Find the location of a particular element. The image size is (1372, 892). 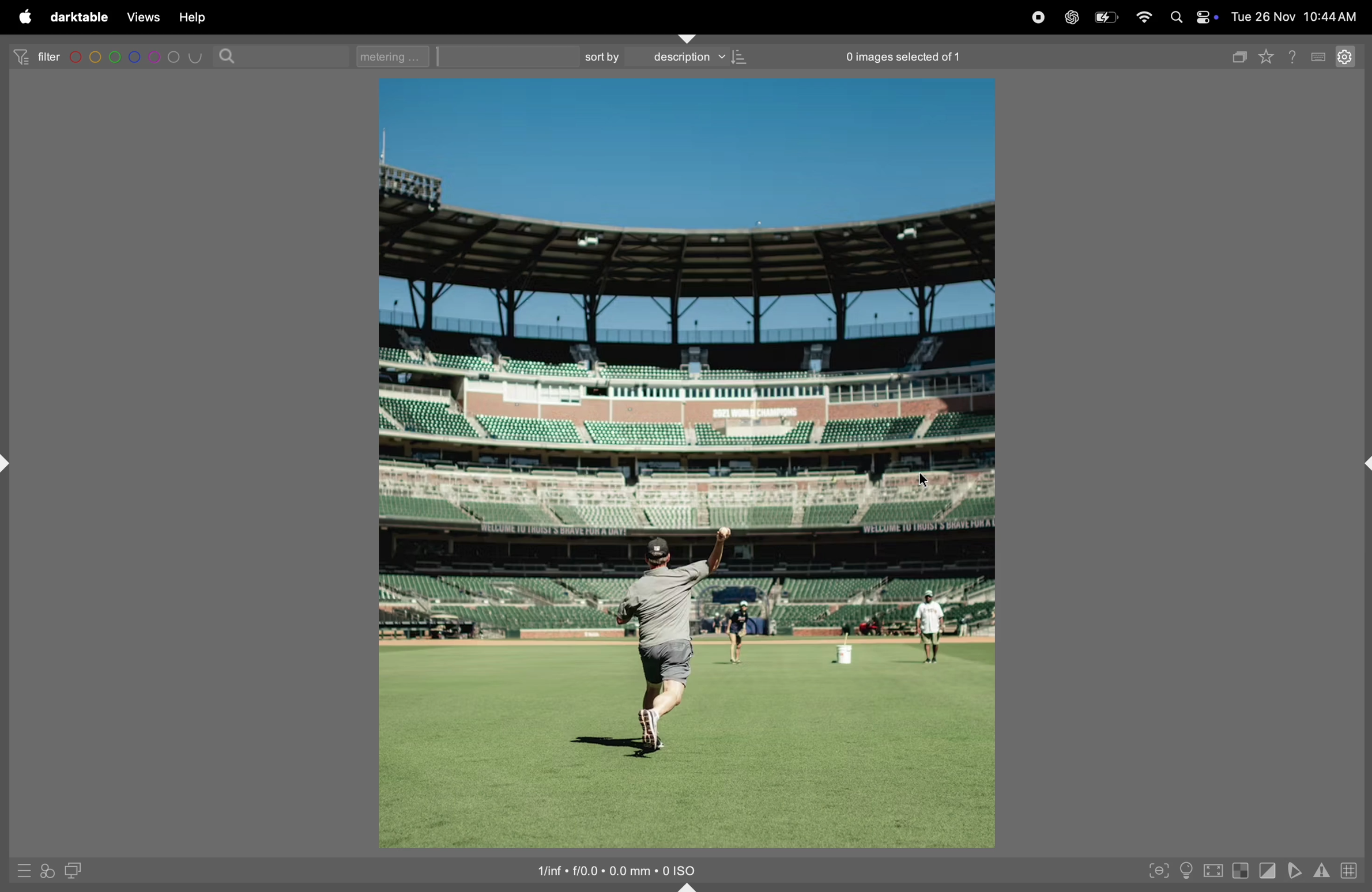

0 images selected is located at coordinates (919, 58).